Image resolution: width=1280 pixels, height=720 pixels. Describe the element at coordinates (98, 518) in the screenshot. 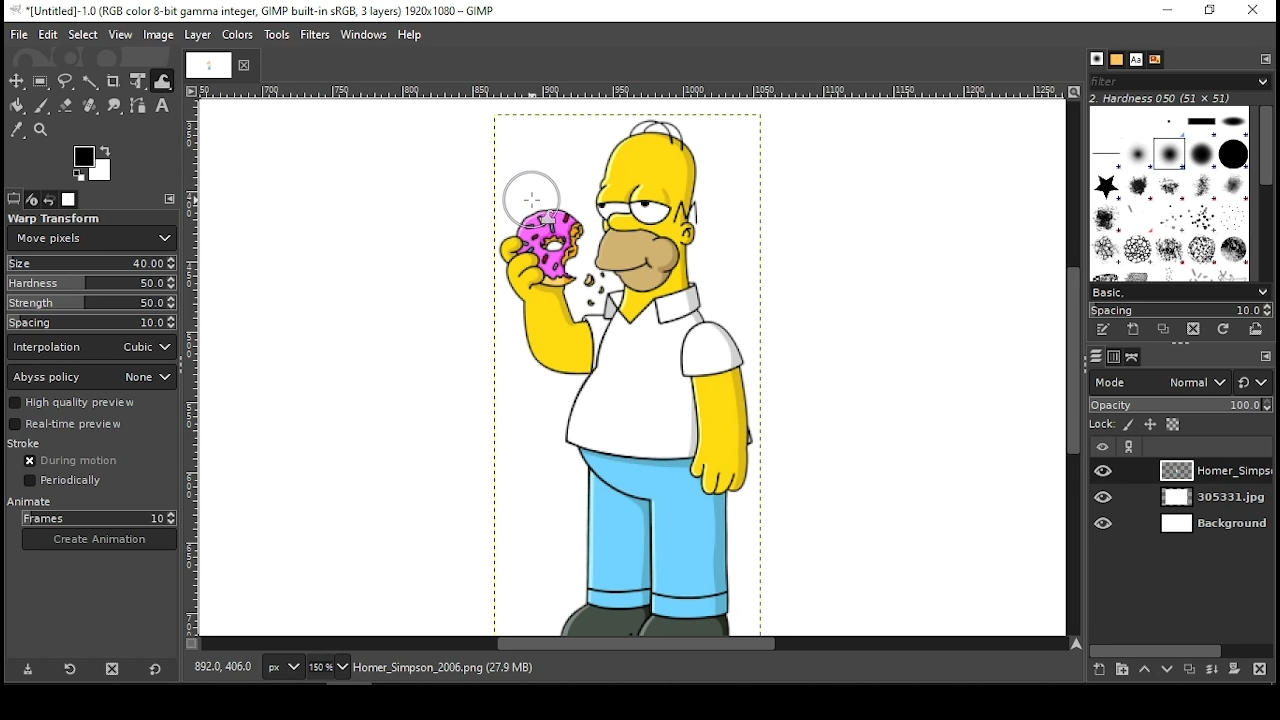

I see `frames` at that location.